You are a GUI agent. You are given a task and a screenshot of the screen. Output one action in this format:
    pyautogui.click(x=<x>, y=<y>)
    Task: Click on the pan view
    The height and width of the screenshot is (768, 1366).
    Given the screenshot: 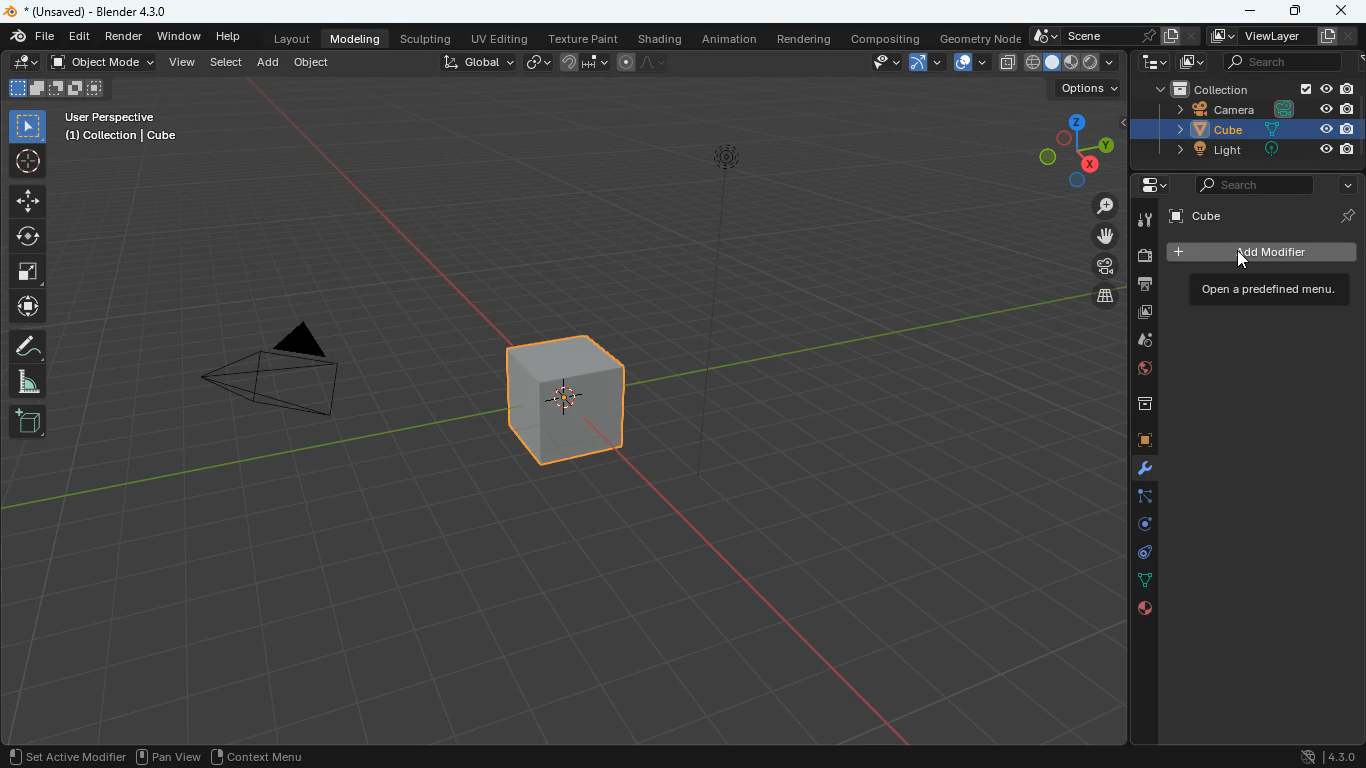 What is the action you would take?
    pyautogui.click(x=39, y=755)
    